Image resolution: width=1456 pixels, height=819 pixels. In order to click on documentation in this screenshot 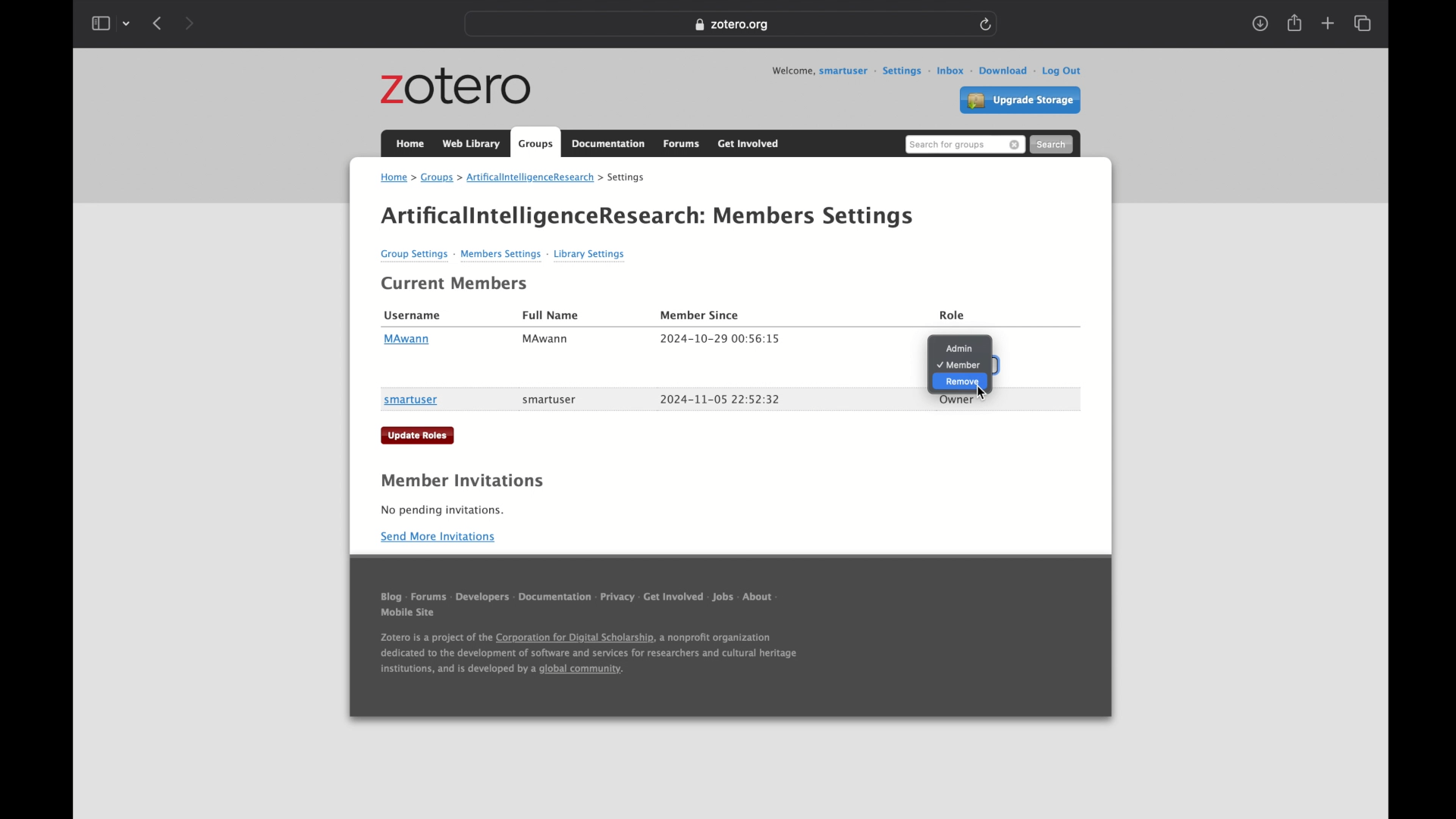, I will do `click(555, 601)`.